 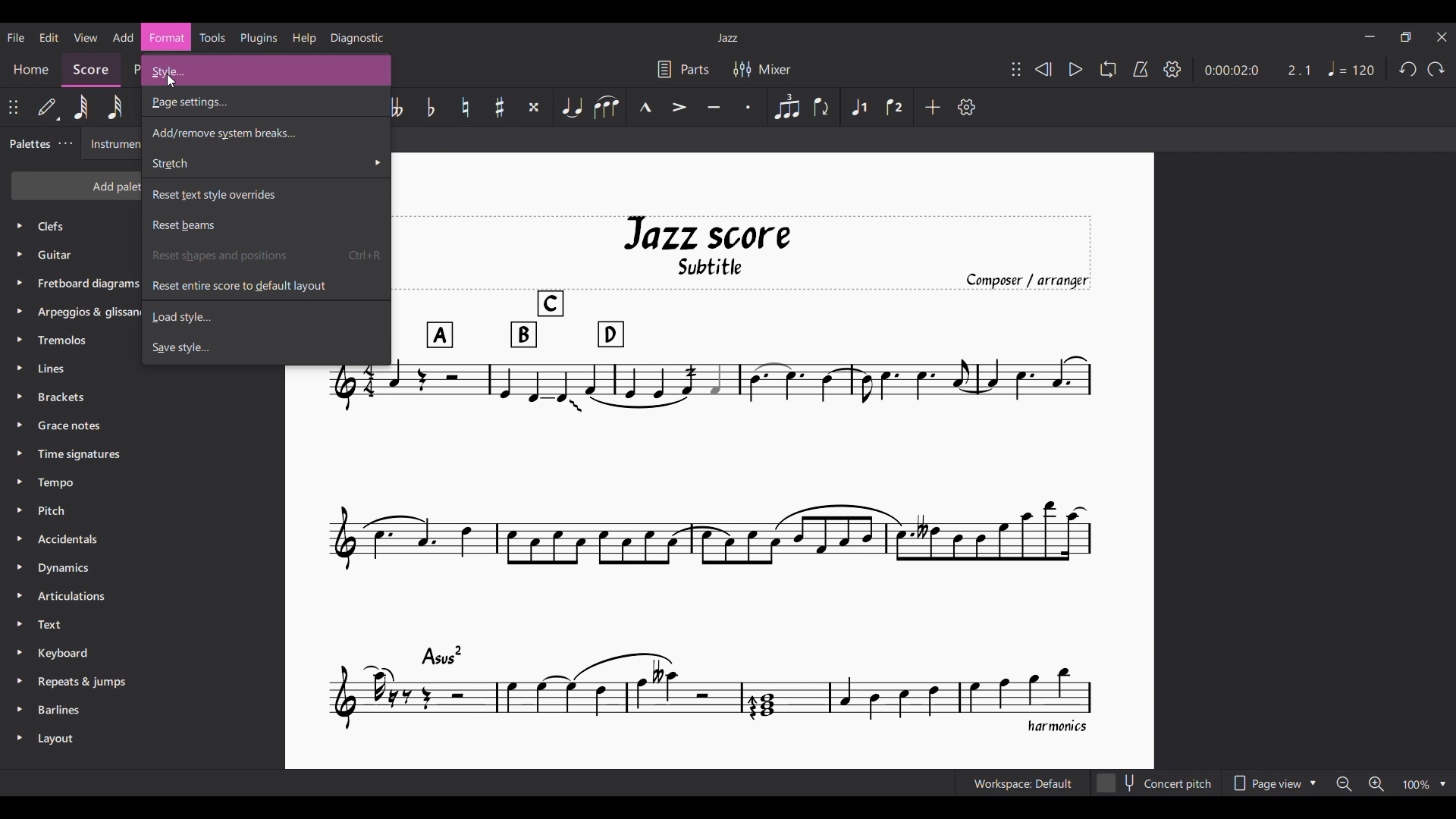 I want to click on Help menu, so click(x=304, y=38).